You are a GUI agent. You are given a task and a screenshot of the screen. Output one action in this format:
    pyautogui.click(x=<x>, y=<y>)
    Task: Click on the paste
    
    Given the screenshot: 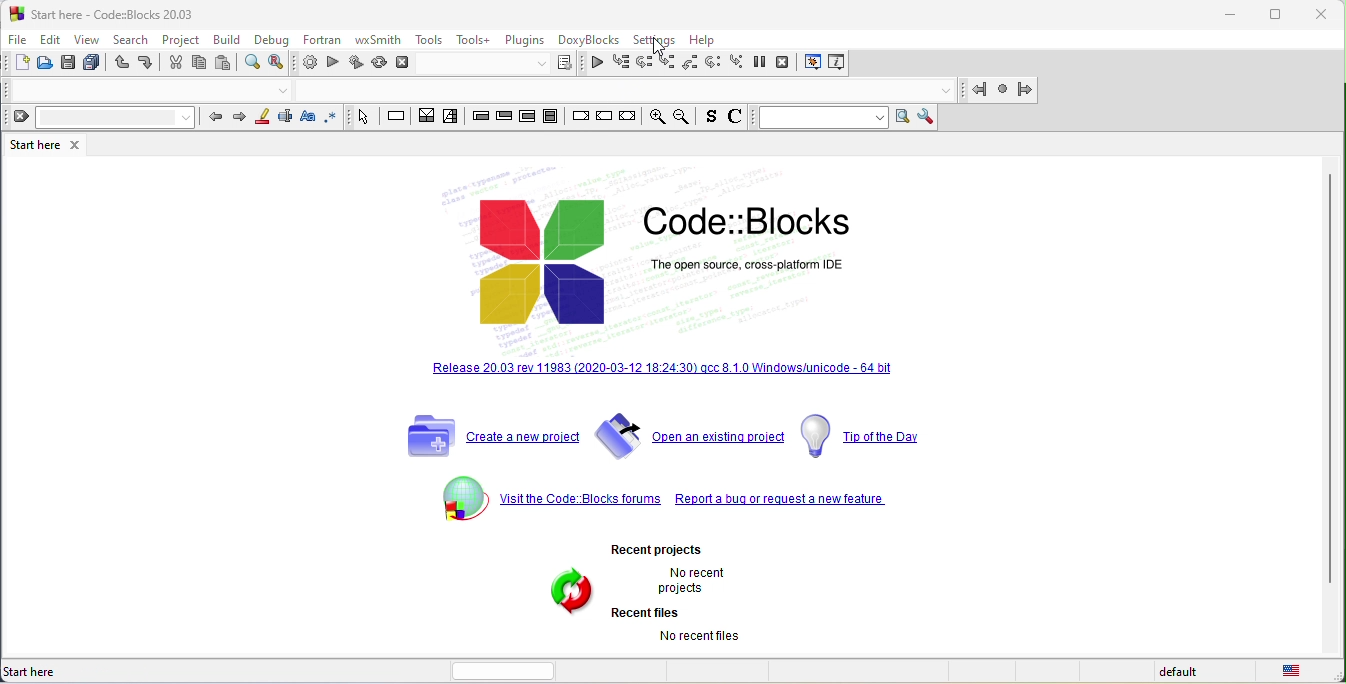 What is the action you would take?
    pyautogui.click(x=229, y=64)
    